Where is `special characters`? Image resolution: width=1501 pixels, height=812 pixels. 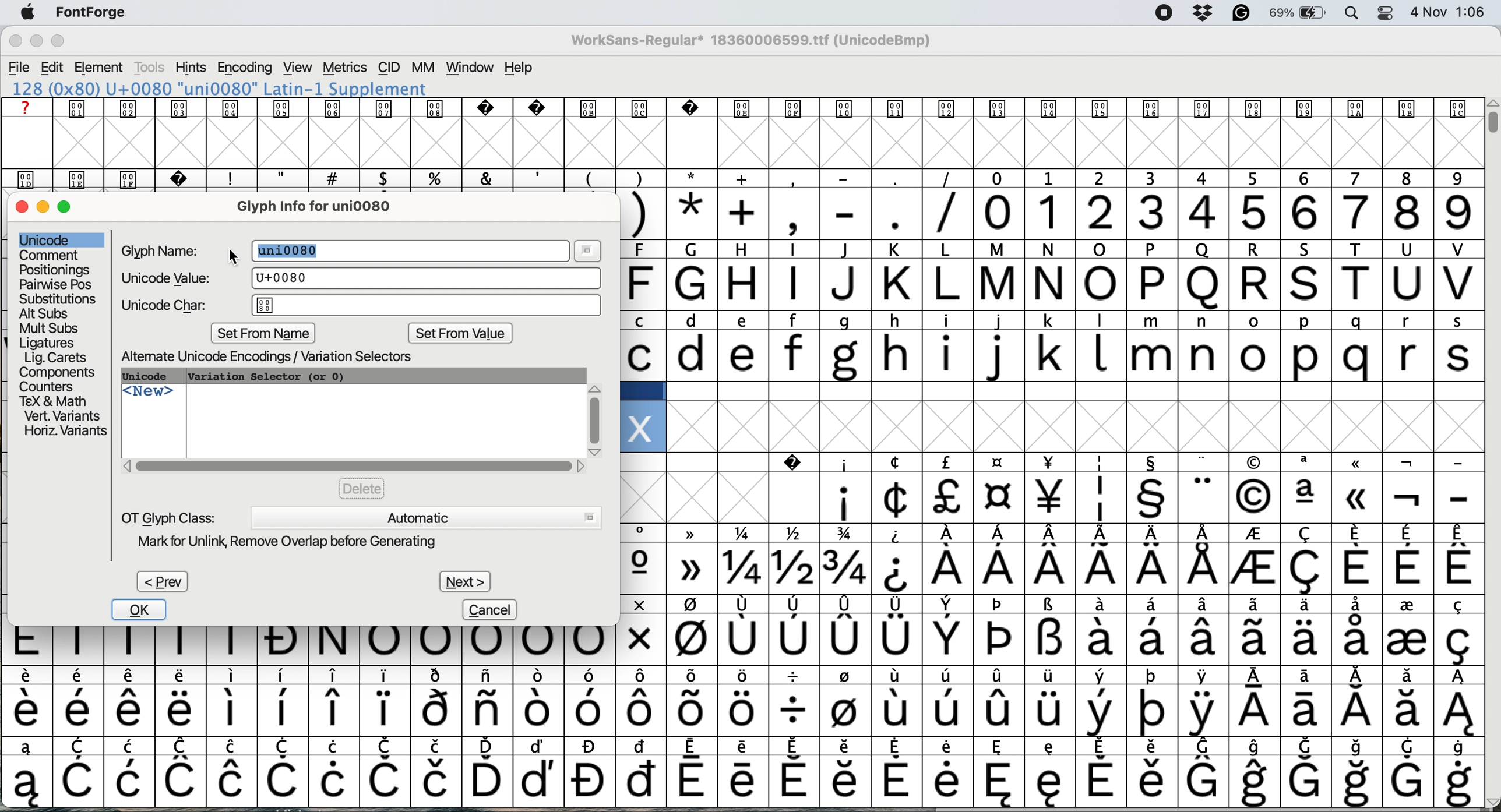
special characters is located at coordinates (737, 647).